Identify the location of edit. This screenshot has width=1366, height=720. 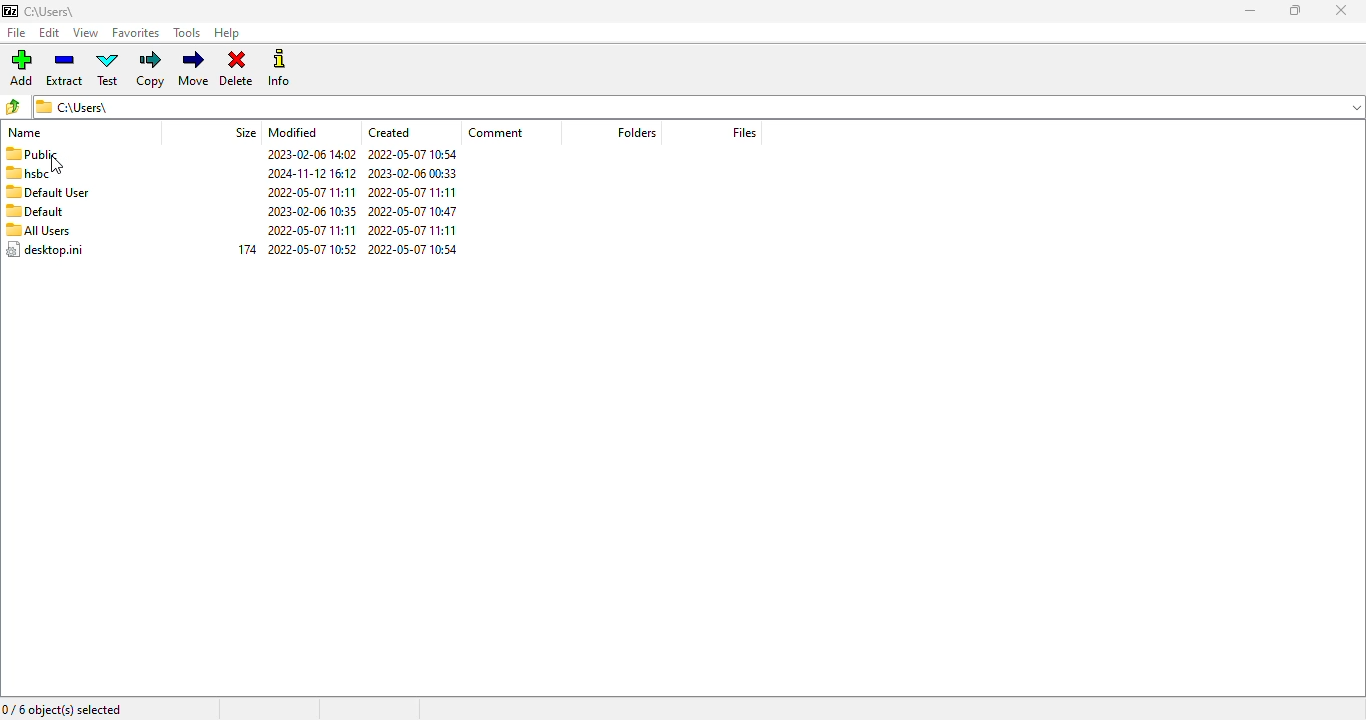
(50, 33).